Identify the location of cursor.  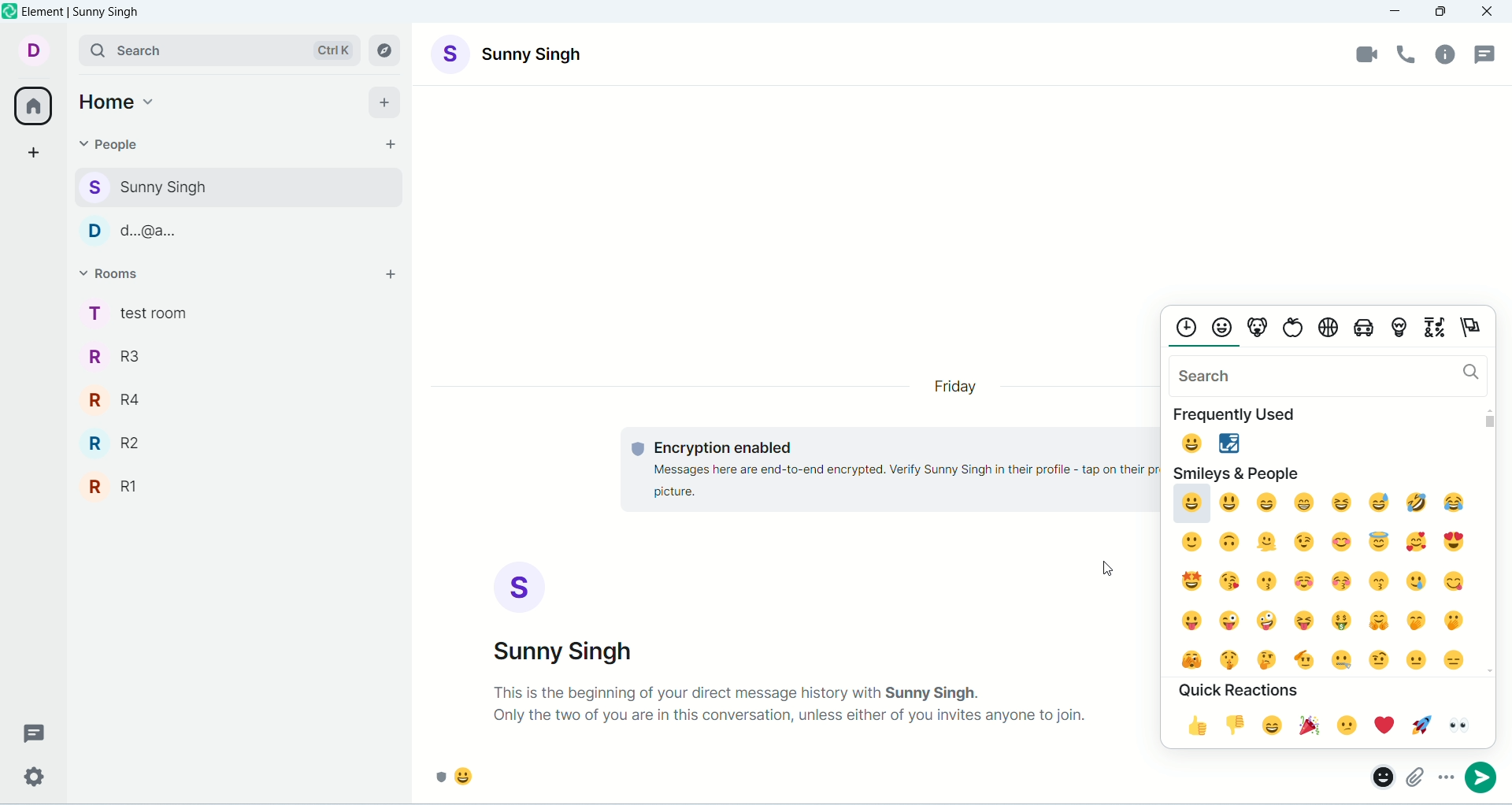
(1104, 566).